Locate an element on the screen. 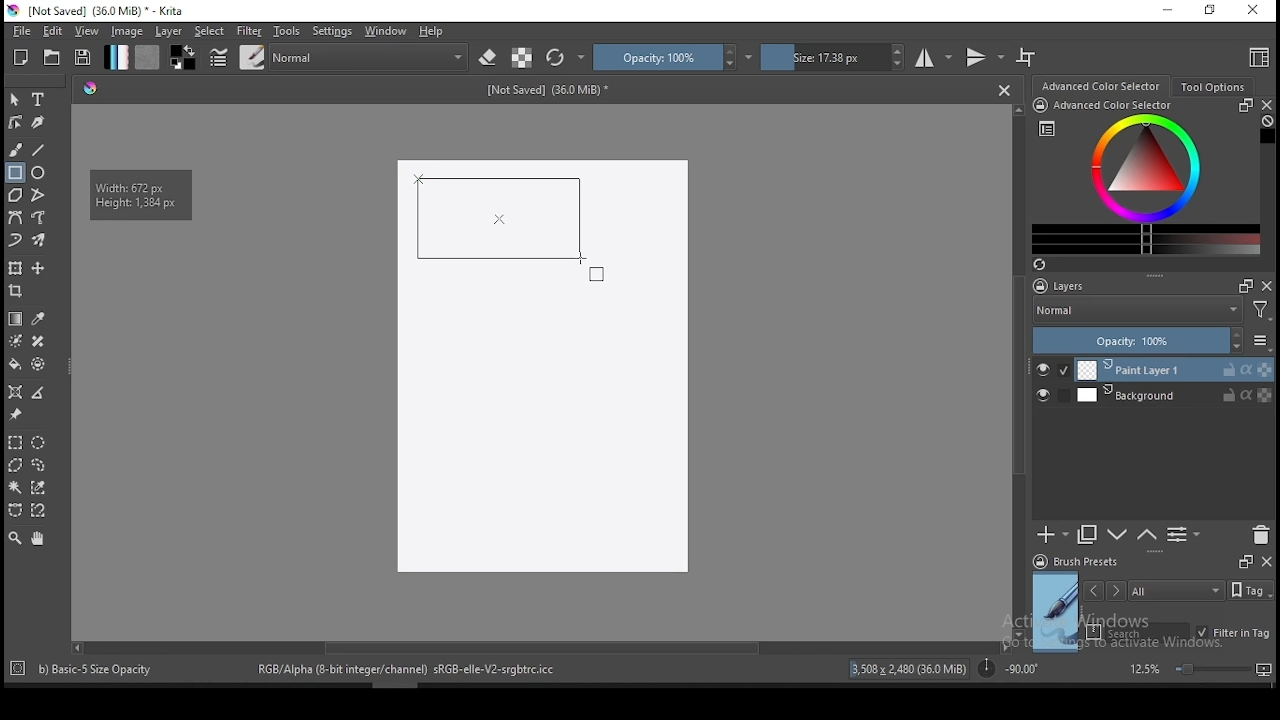 The width and height of the screenshot is (1280, 720). enclose and fill tool is located at coordinates (38, 364).